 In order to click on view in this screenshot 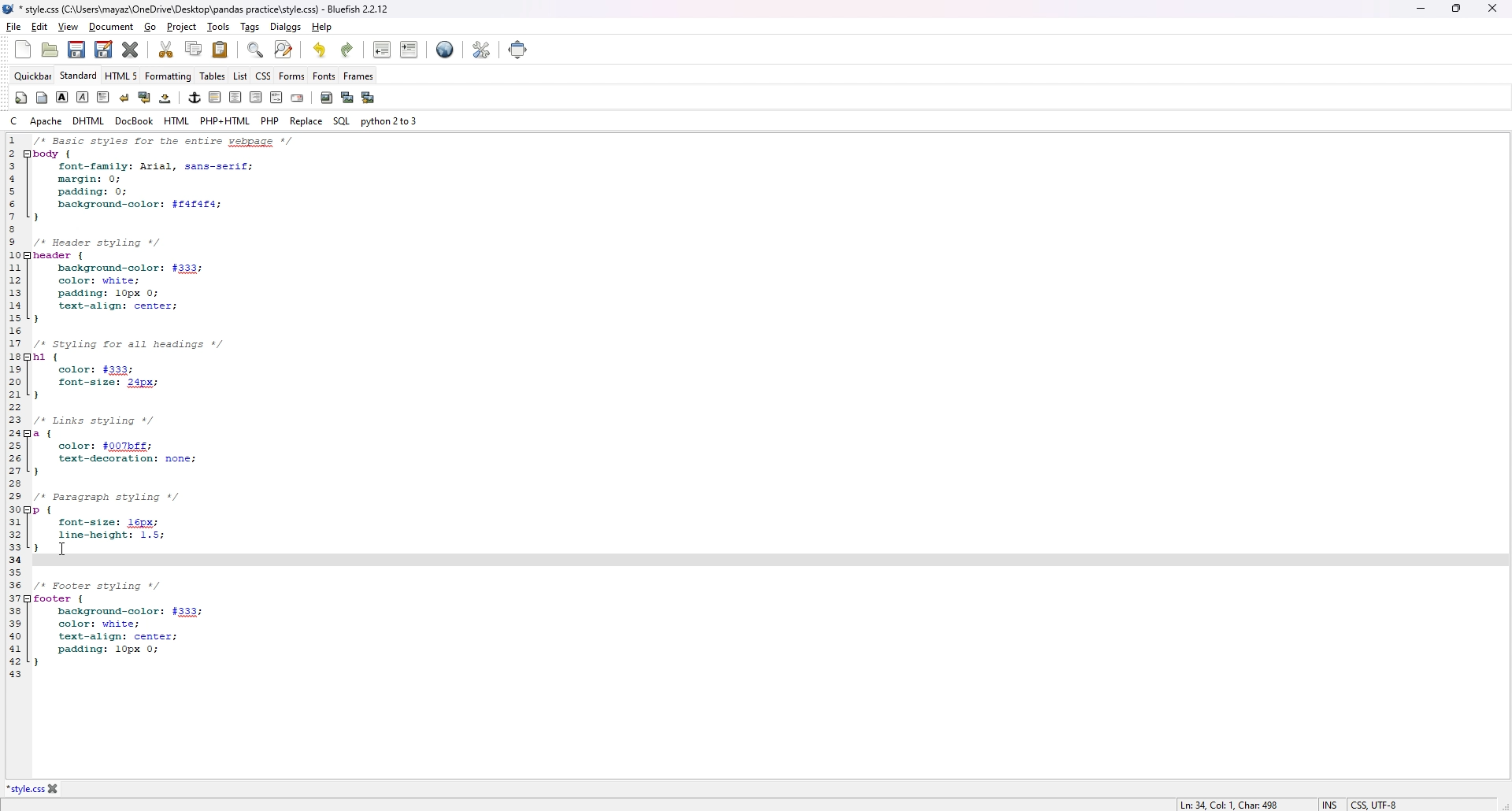, I will do `click(67, 27)`.